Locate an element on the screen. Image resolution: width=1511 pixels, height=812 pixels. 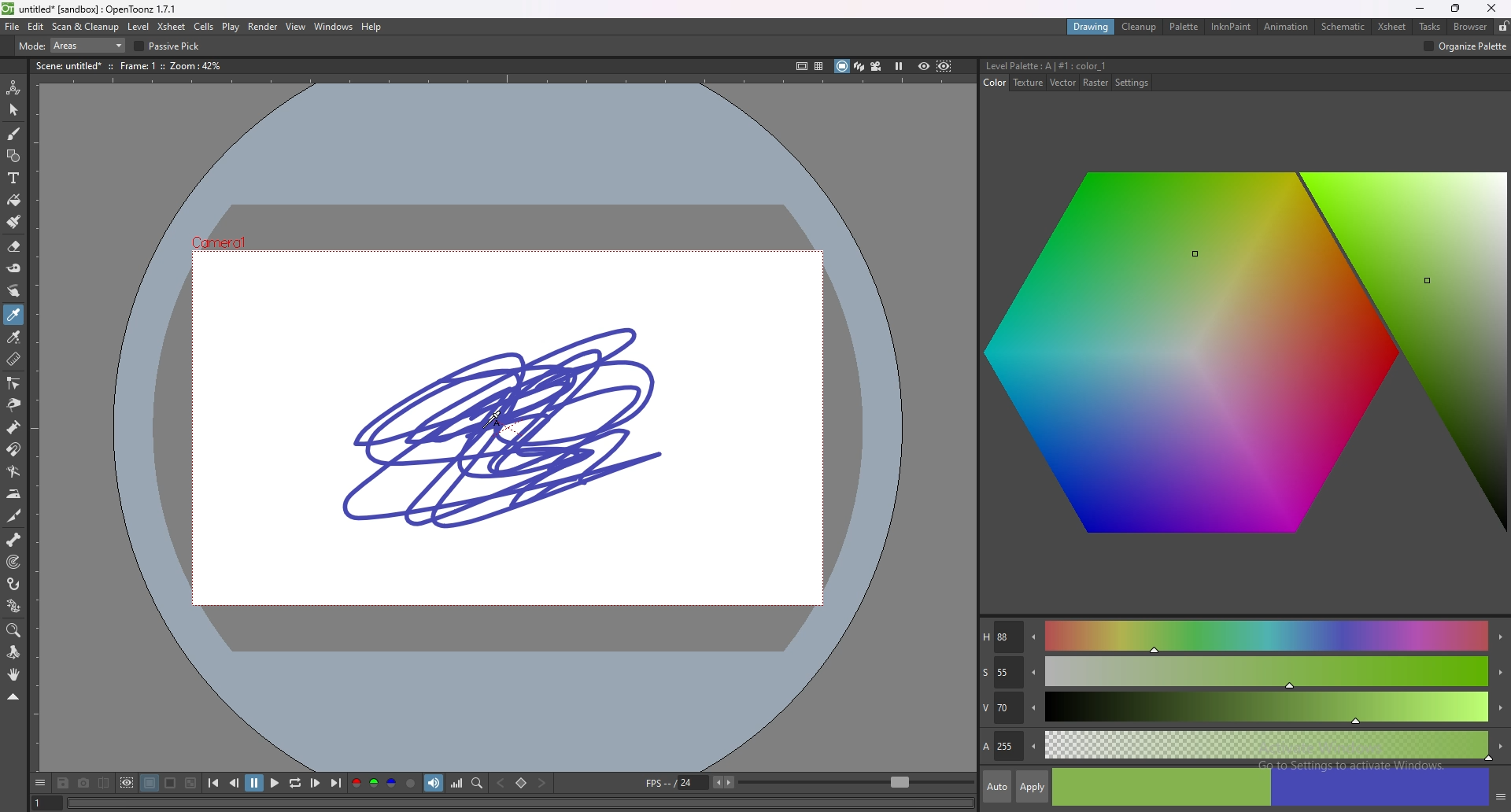
settings is located at coordinates (1132, 83).